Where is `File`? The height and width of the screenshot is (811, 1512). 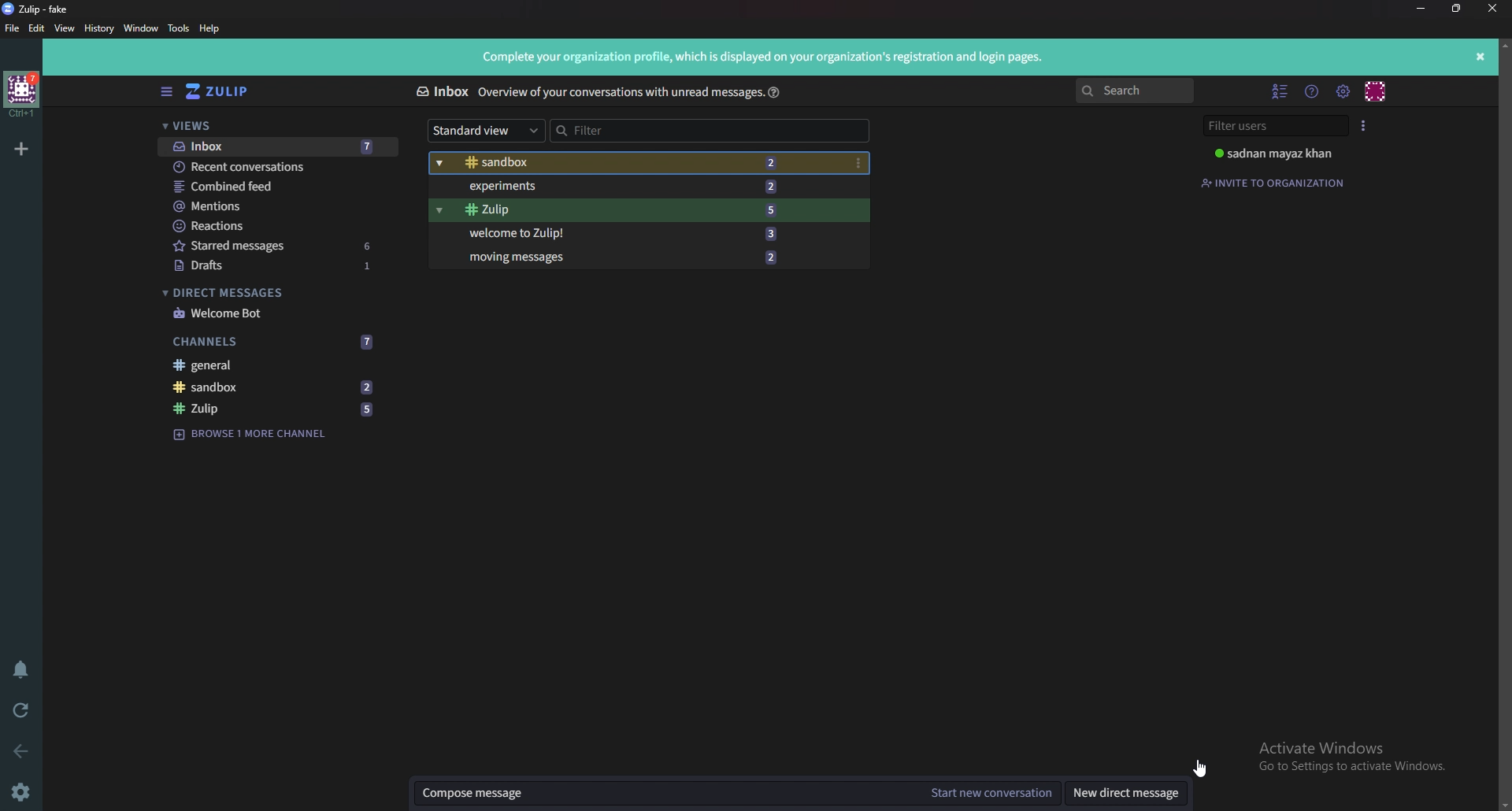 File is located at coordinates (13, 29).